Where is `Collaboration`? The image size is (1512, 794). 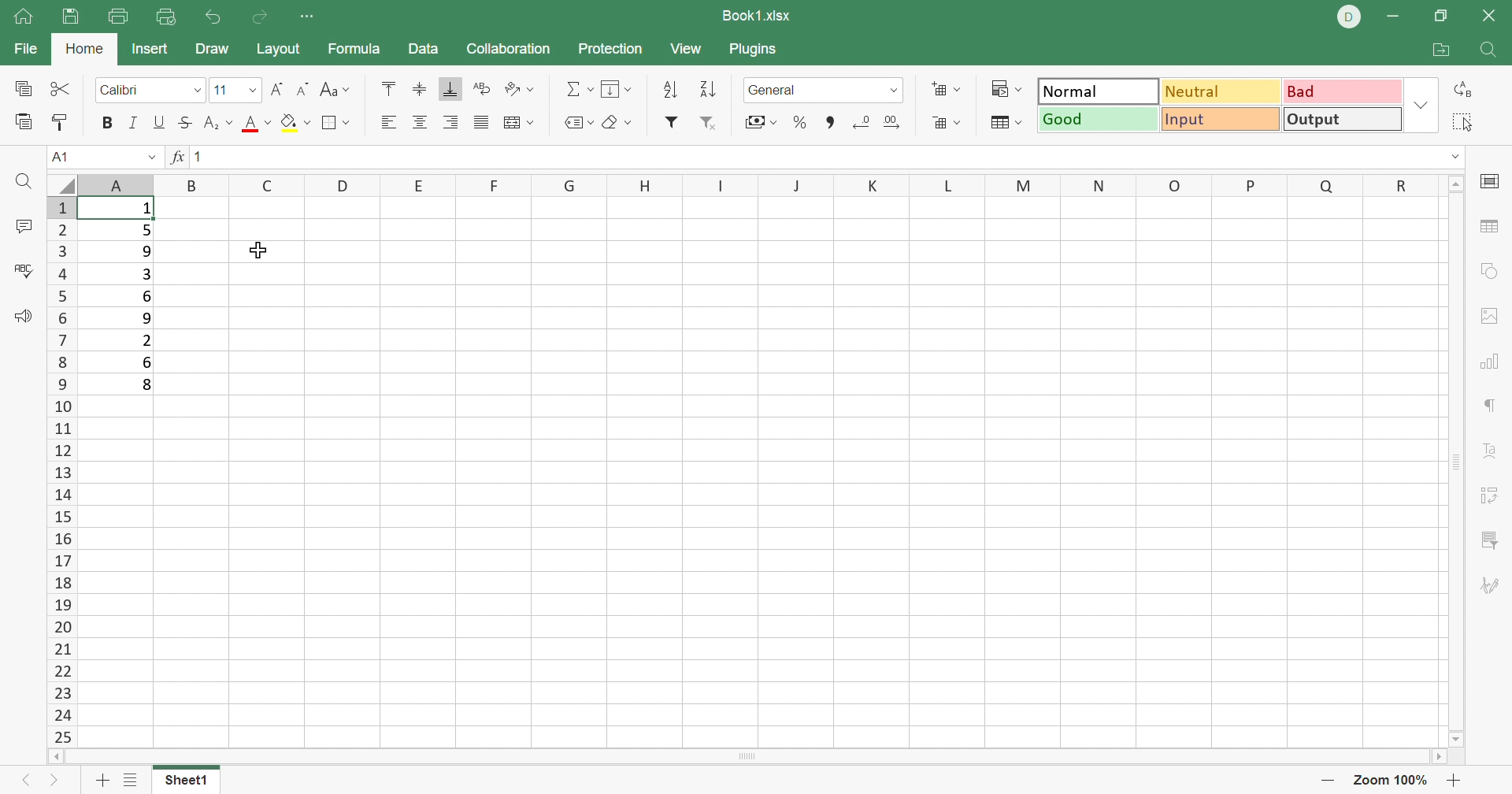 Collaboration is located at coordinates (511, 50).